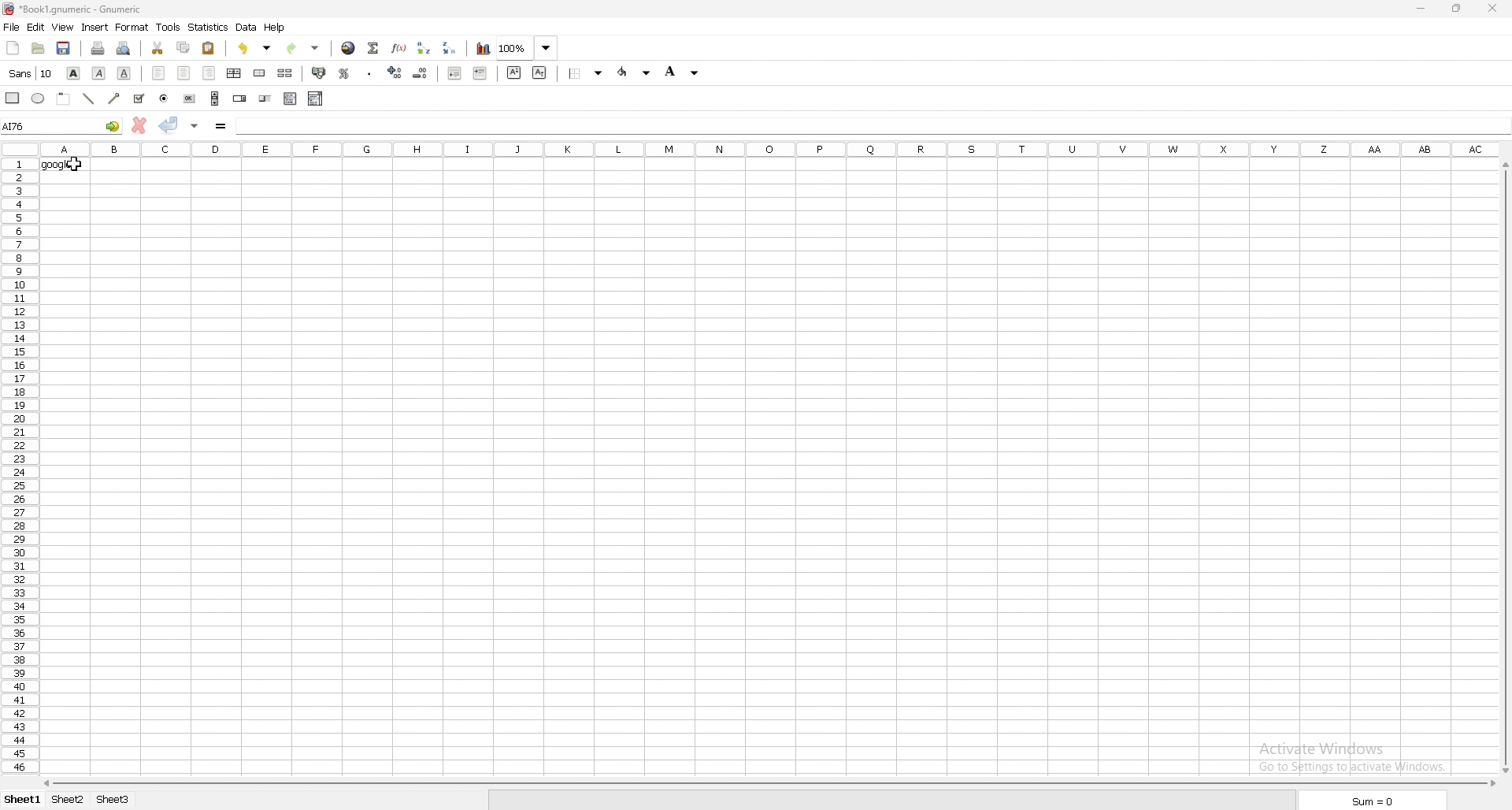 This screenshot has height=810, width=1512. Describe the element at coordinates (235, 72) in the screenshot. I see `centre horizontally` at that location.